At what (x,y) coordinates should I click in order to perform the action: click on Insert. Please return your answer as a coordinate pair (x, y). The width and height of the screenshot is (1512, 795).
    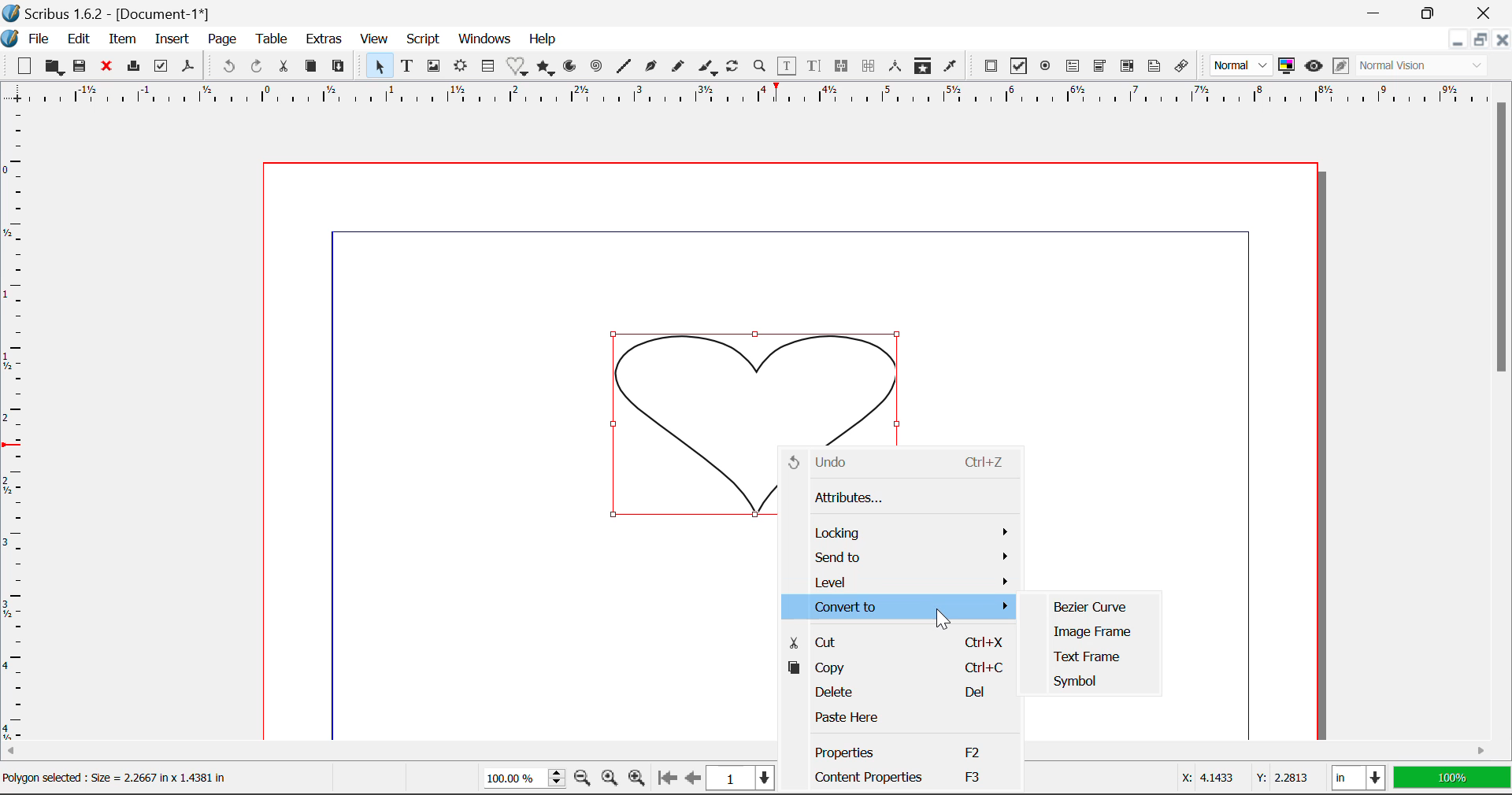
    Looking at the image, I should click on (170, 39).